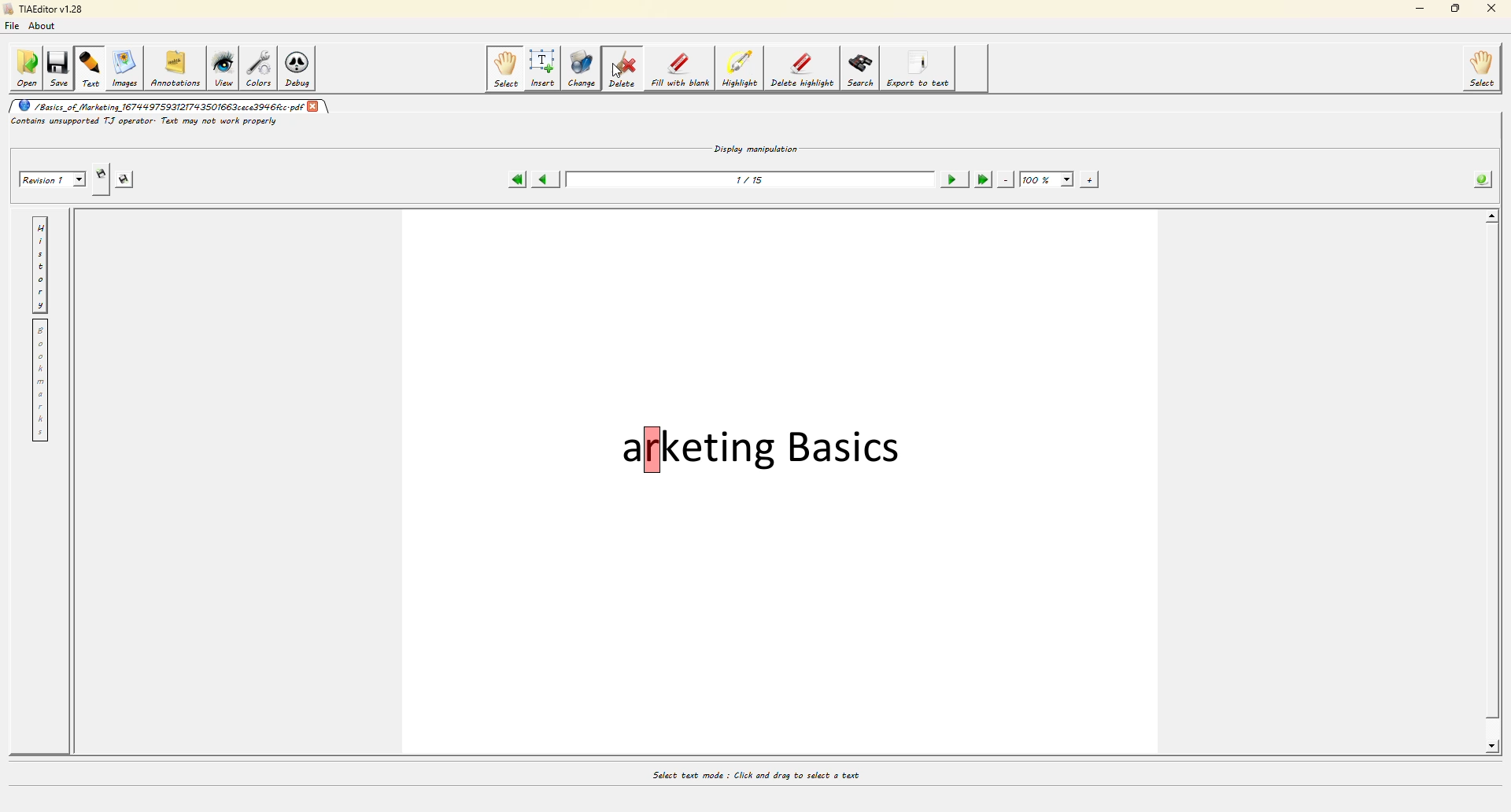  What do you see at coordinates (763, 448) in the screenshot?
I see `arketing Basics` at bounding box center [763, 448].